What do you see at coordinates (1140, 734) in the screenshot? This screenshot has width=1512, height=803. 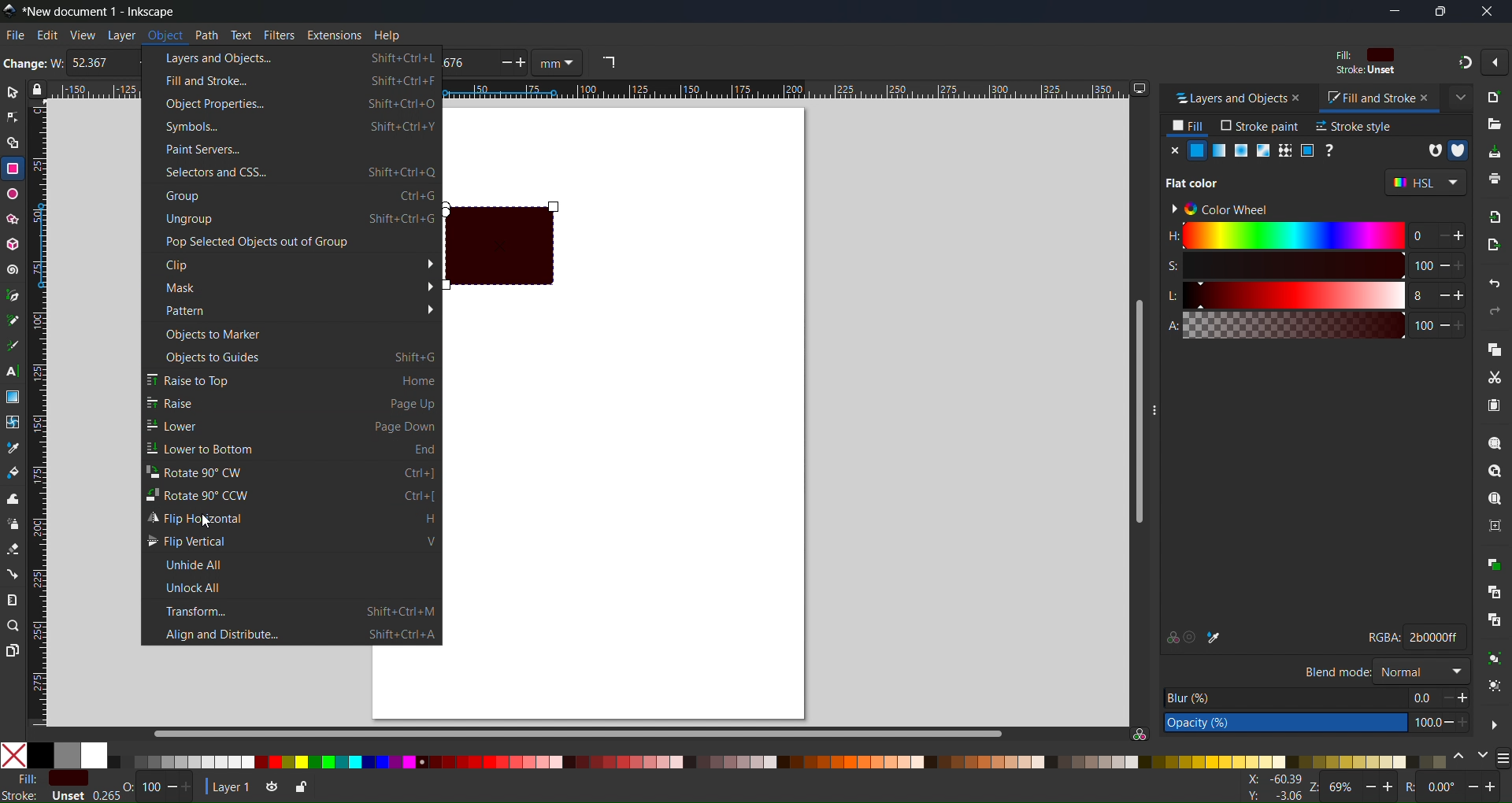 I see `Color managed mode` at bounding box center [1140, 734].